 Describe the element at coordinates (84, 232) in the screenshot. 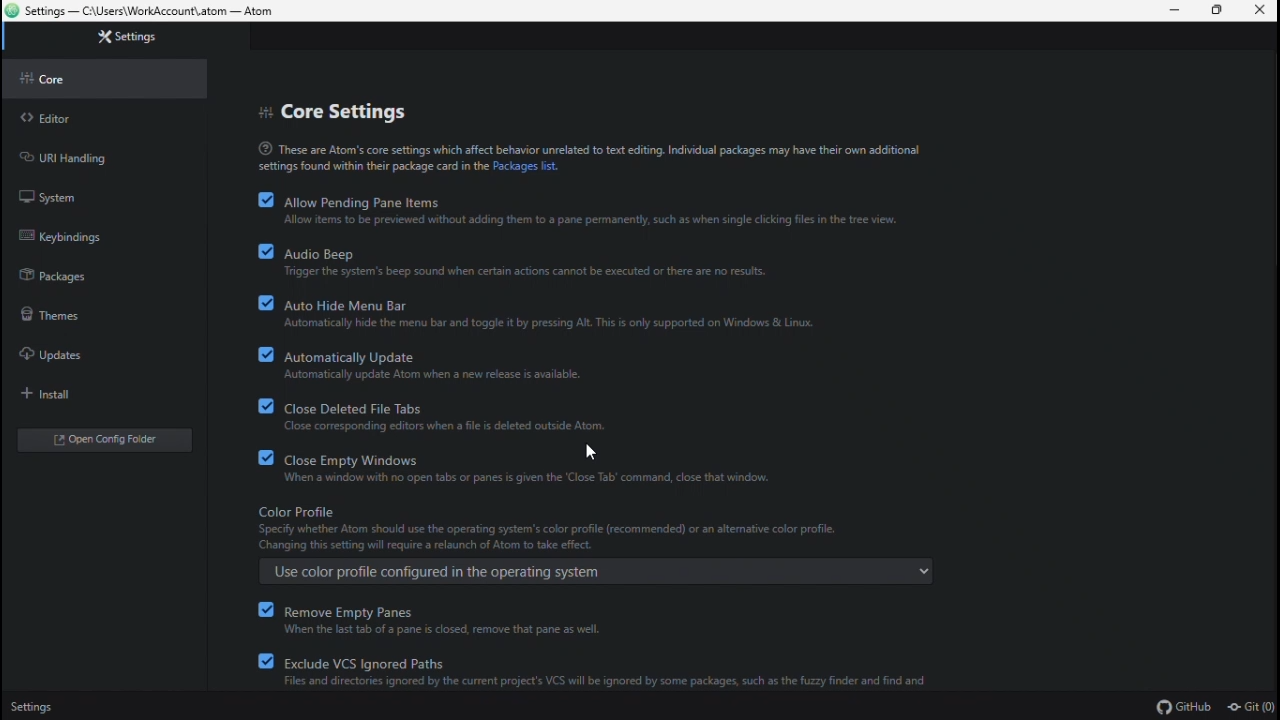

I see `keybindings` at that location.